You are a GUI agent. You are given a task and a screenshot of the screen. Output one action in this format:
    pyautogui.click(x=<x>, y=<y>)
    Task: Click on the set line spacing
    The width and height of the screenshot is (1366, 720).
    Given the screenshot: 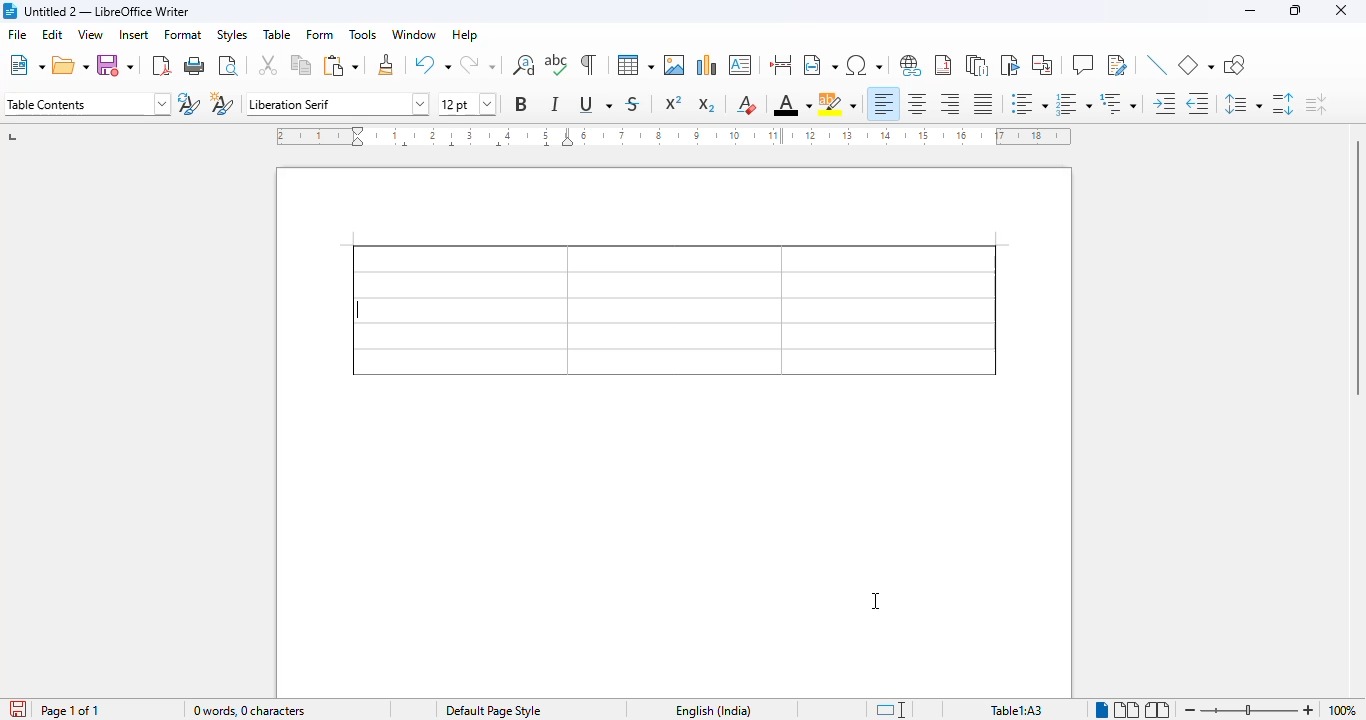 What is the action you would take?
    pyautogui.click(x=1243, y=104)
    